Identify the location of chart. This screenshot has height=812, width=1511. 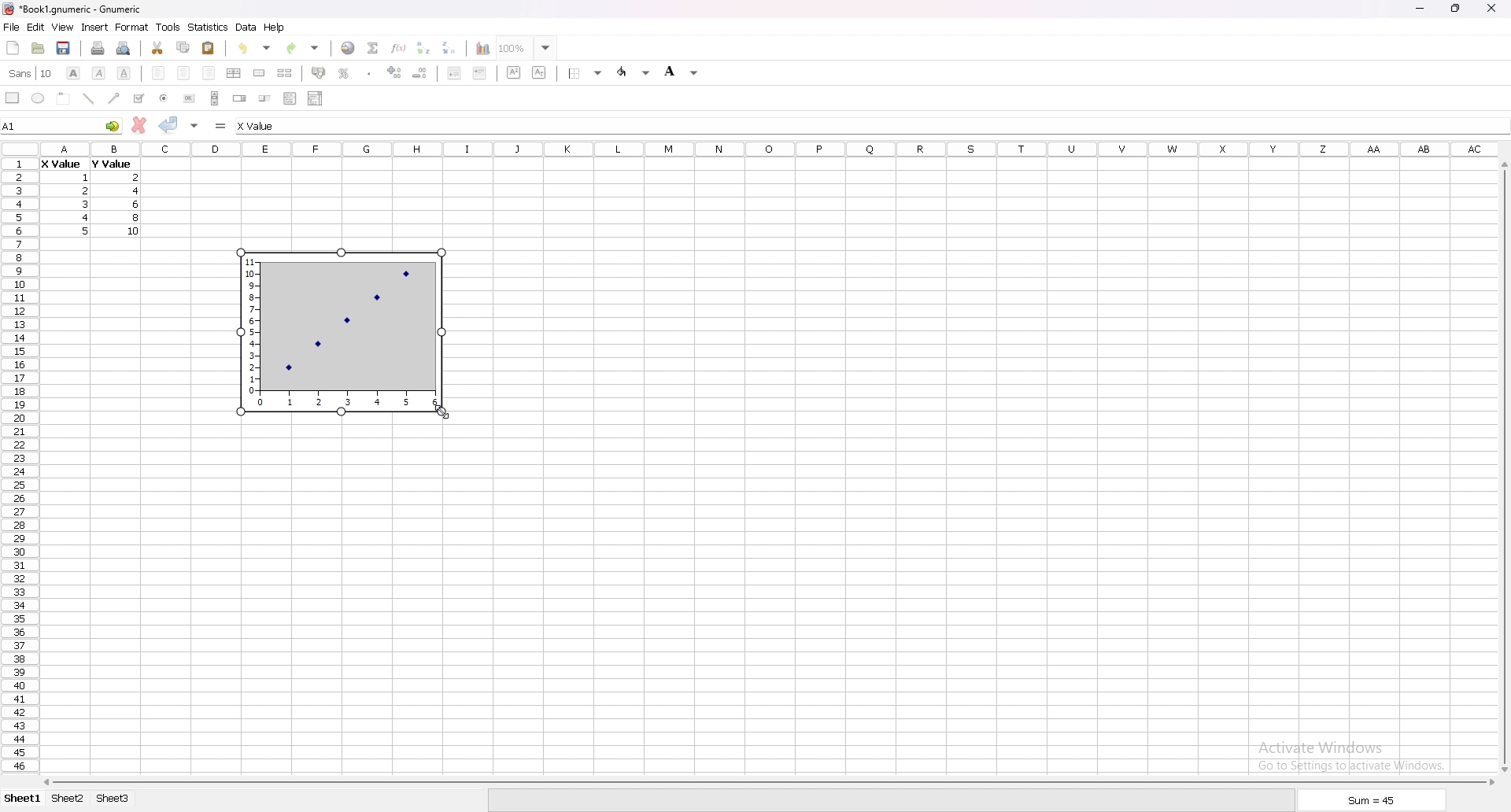
(342, 333).